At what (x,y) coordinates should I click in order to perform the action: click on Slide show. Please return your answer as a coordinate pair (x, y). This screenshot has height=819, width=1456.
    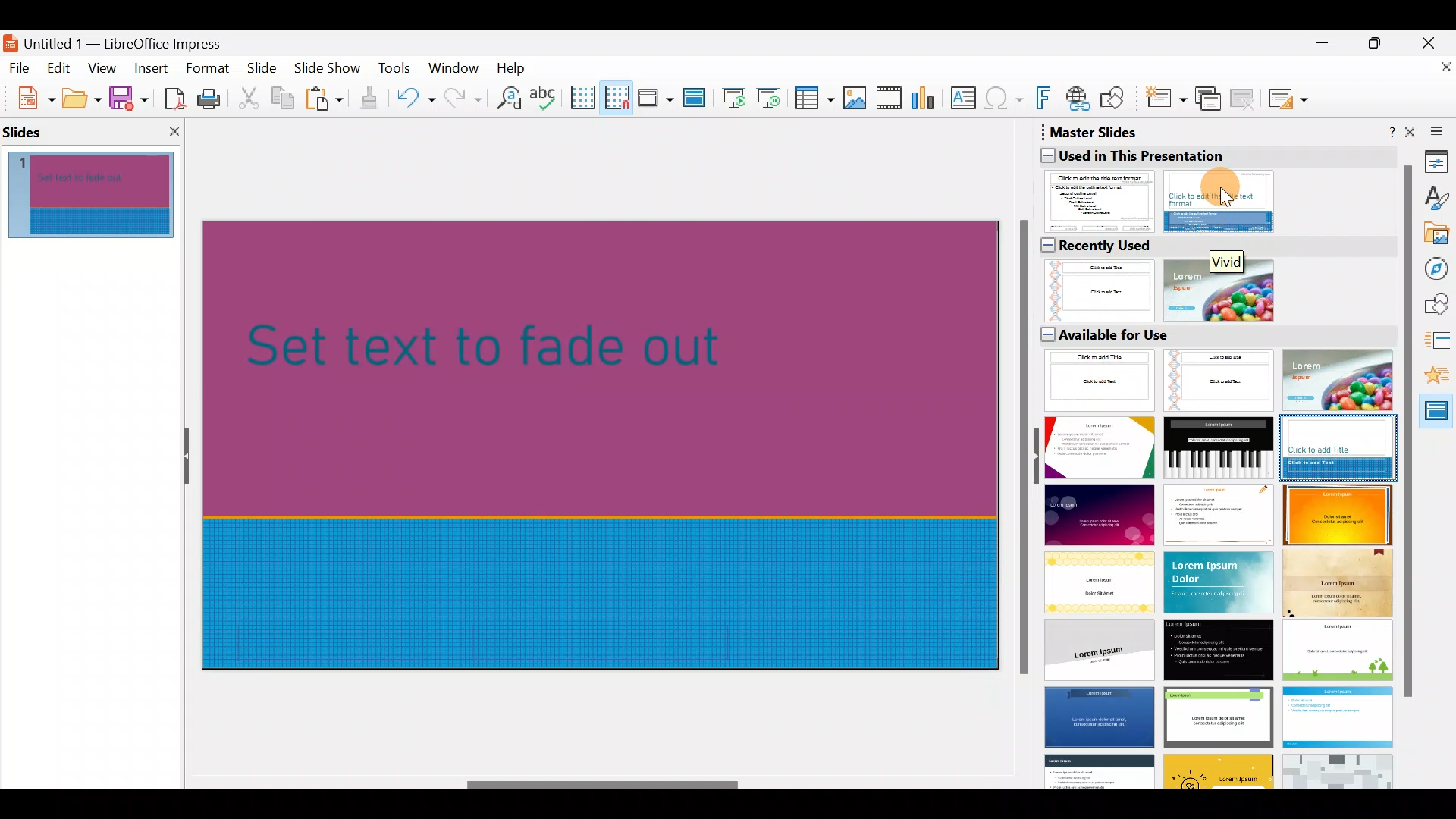
    Looking at the image, I should click on (331, 71).